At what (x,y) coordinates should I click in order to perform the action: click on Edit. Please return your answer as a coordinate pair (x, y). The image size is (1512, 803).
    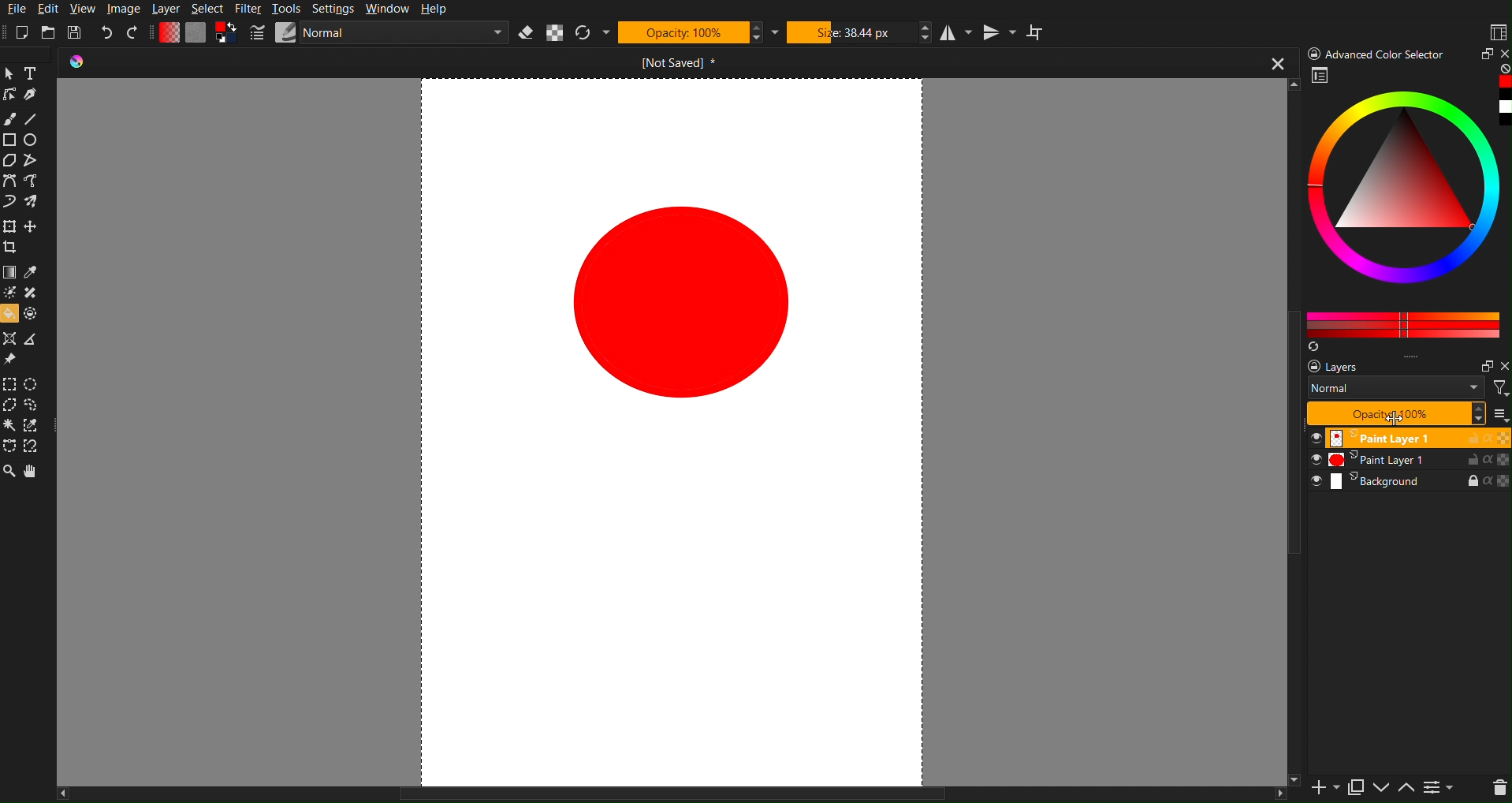
    Looking at the image, I should click on (50, 10).